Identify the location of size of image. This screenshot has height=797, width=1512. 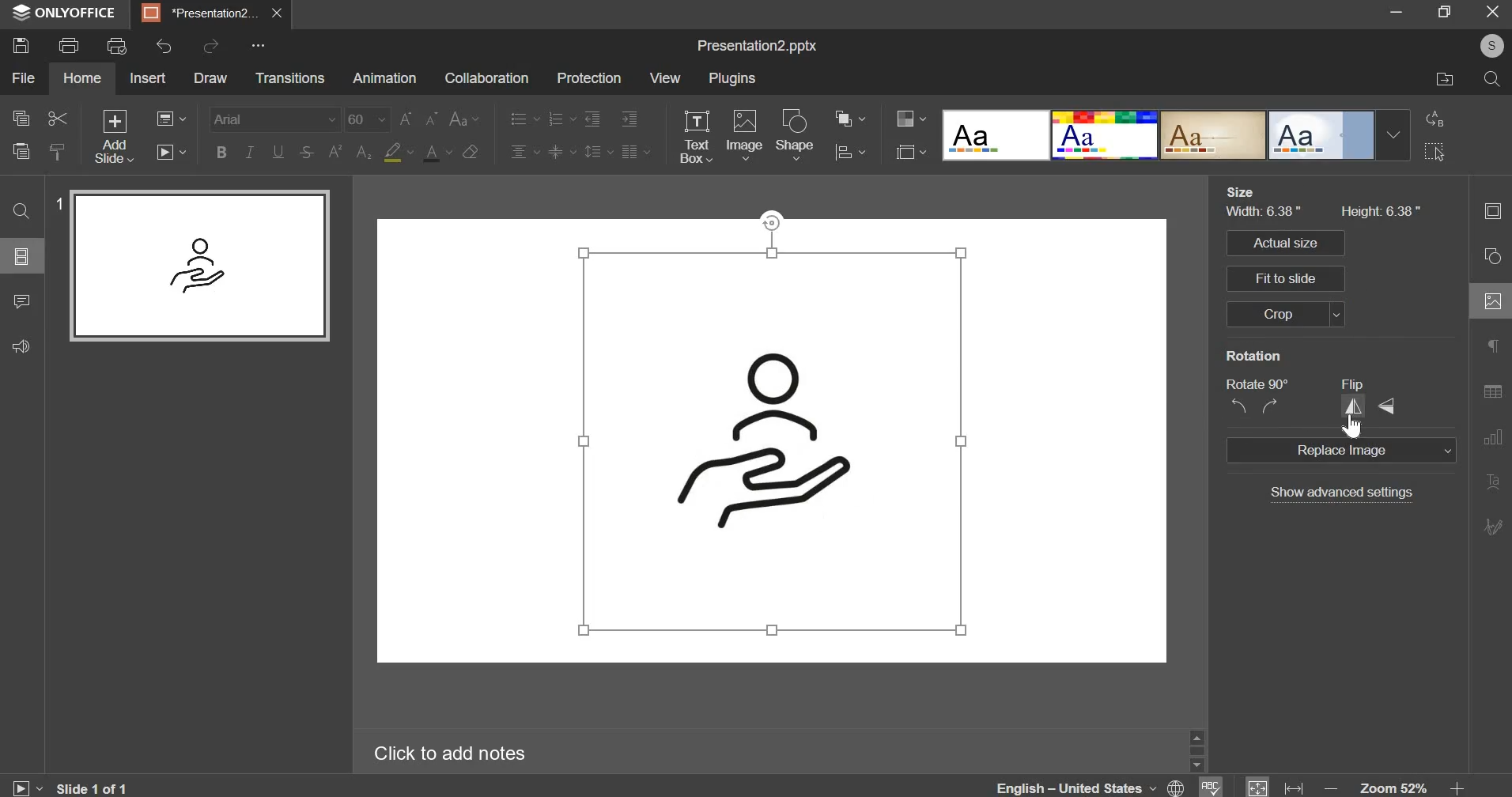
(1323, 210).